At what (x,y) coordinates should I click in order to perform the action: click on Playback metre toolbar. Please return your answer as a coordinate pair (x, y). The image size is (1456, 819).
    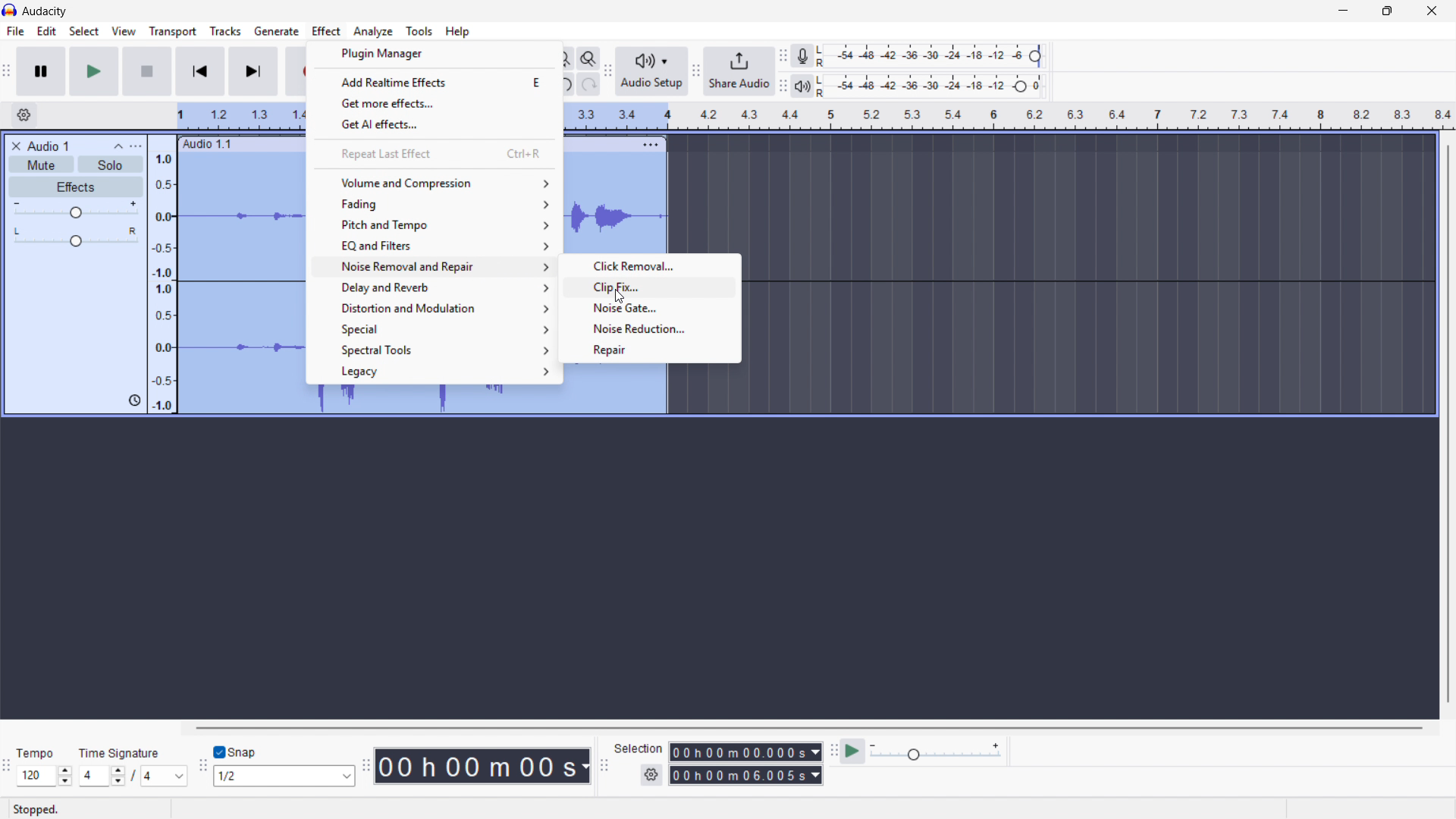
    Looking at the image, I should click on (783, 86).